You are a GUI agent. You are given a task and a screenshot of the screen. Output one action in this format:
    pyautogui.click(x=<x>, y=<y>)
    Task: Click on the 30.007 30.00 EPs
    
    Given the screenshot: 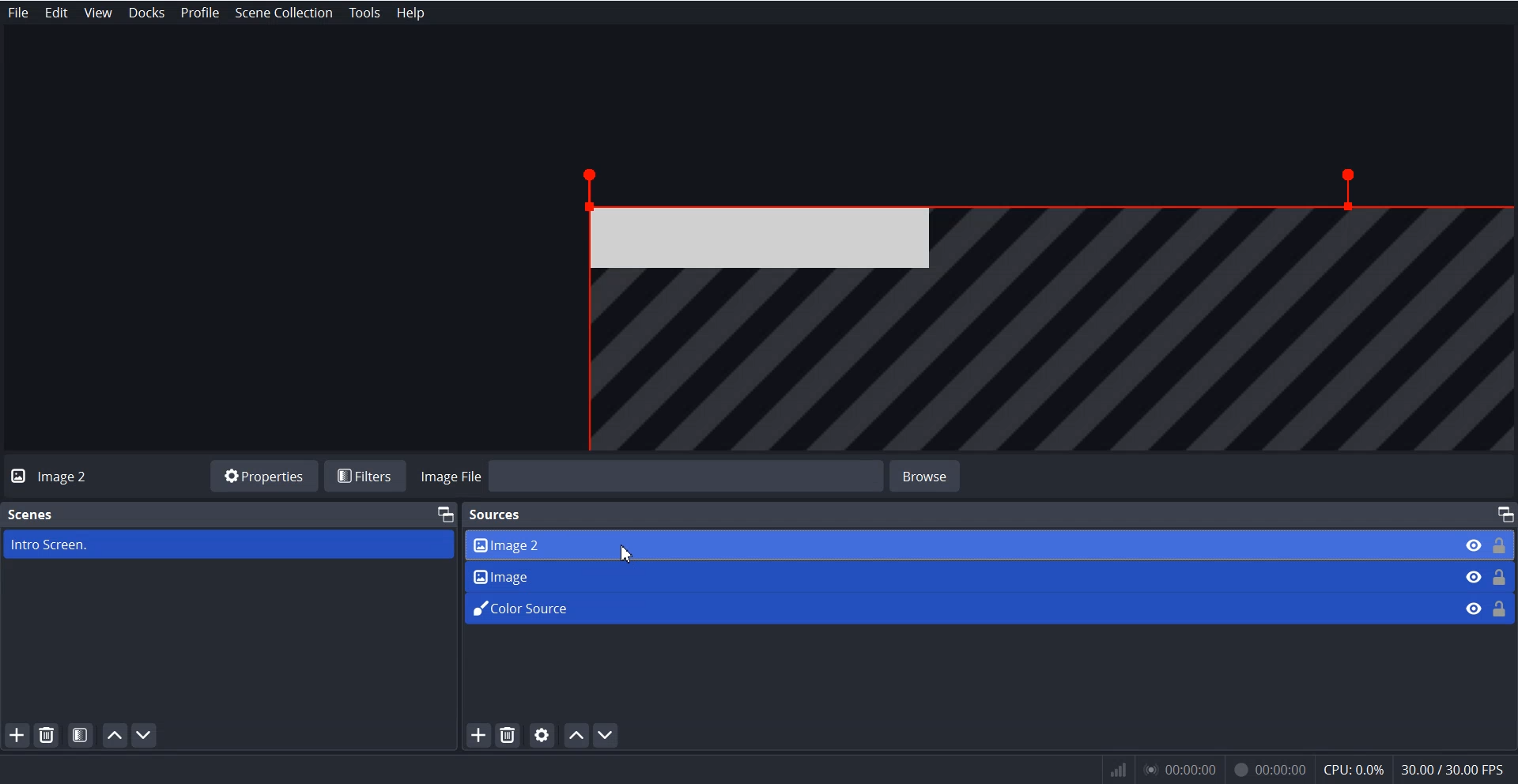 What is the action you would take?
    pyautogui.click(x=1458, y=768)
    